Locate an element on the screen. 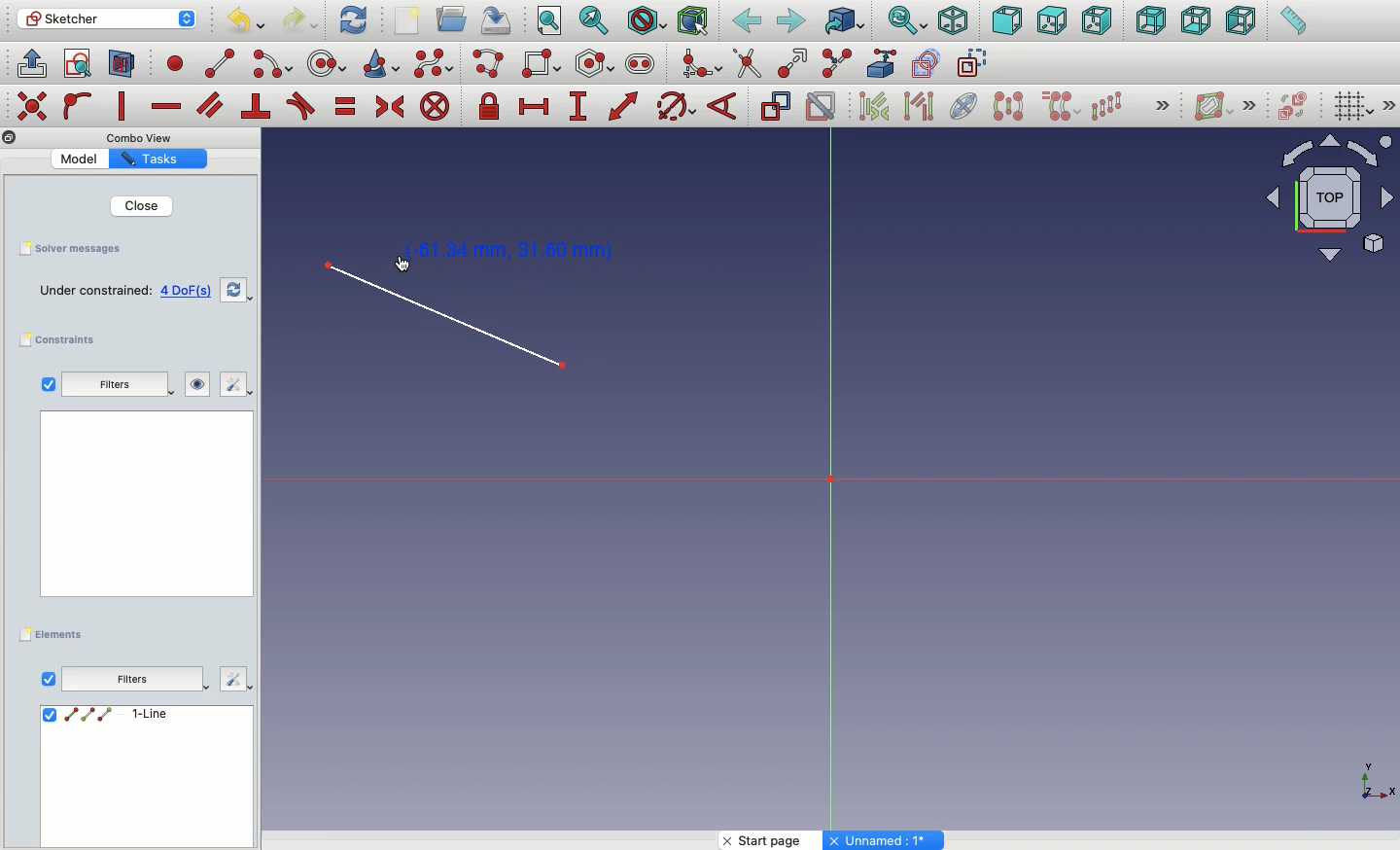 The height and width of the screenshot is (850, 1400). Go to linked object is located at coordinates (844, 20).